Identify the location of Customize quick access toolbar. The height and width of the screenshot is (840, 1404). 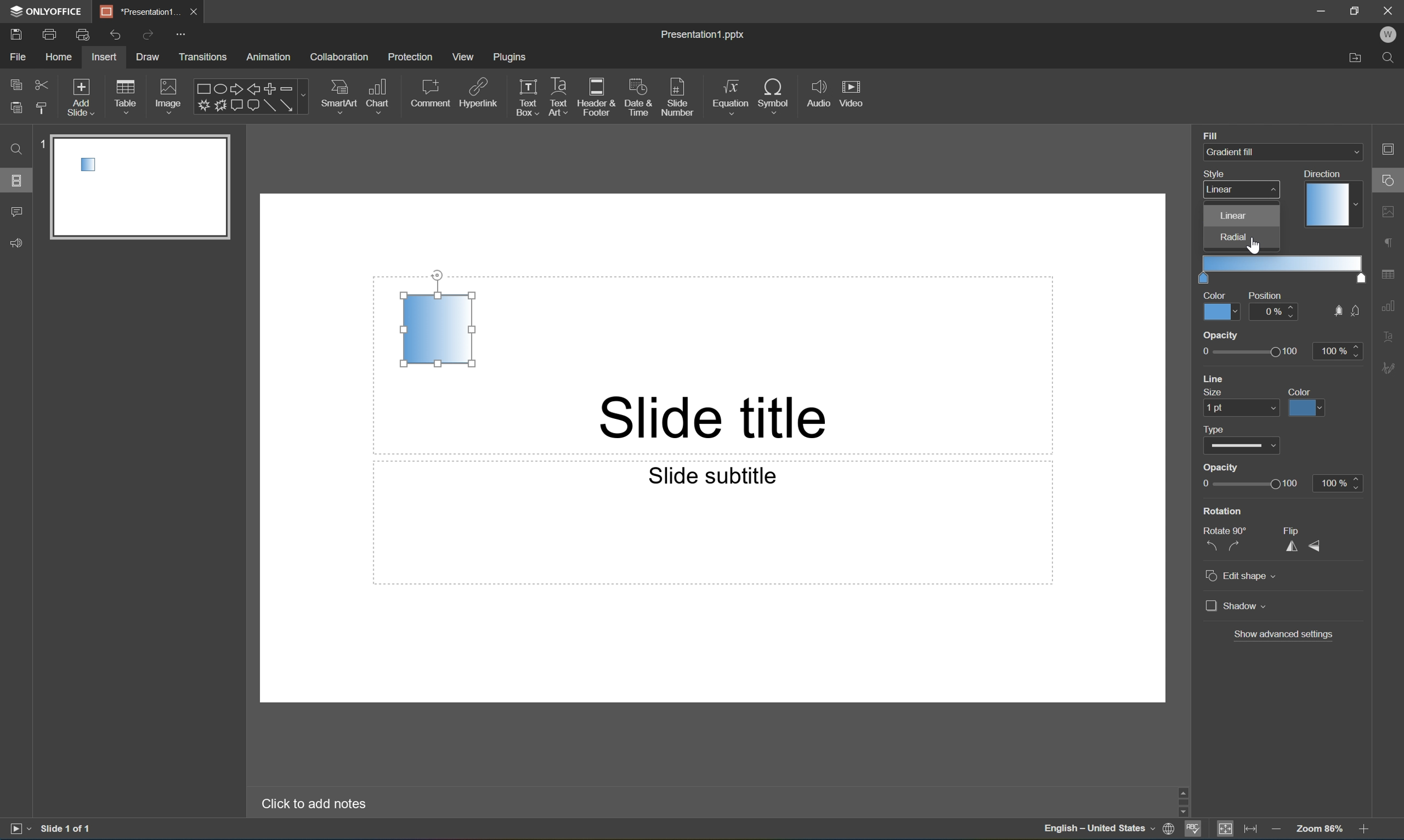
(183, 36).